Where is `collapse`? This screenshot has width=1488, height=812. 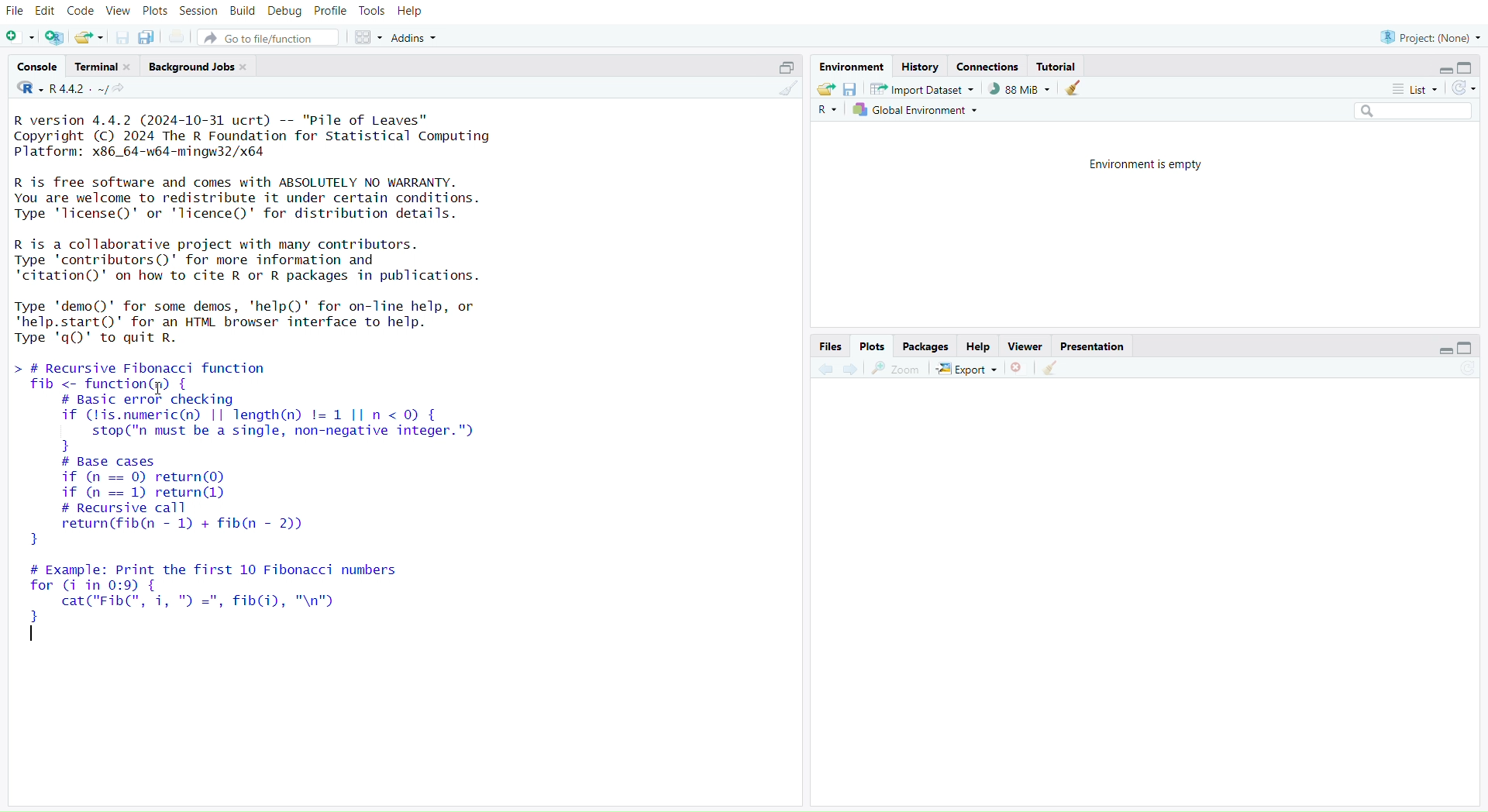 collapse is located at coordinates (1467, 347).